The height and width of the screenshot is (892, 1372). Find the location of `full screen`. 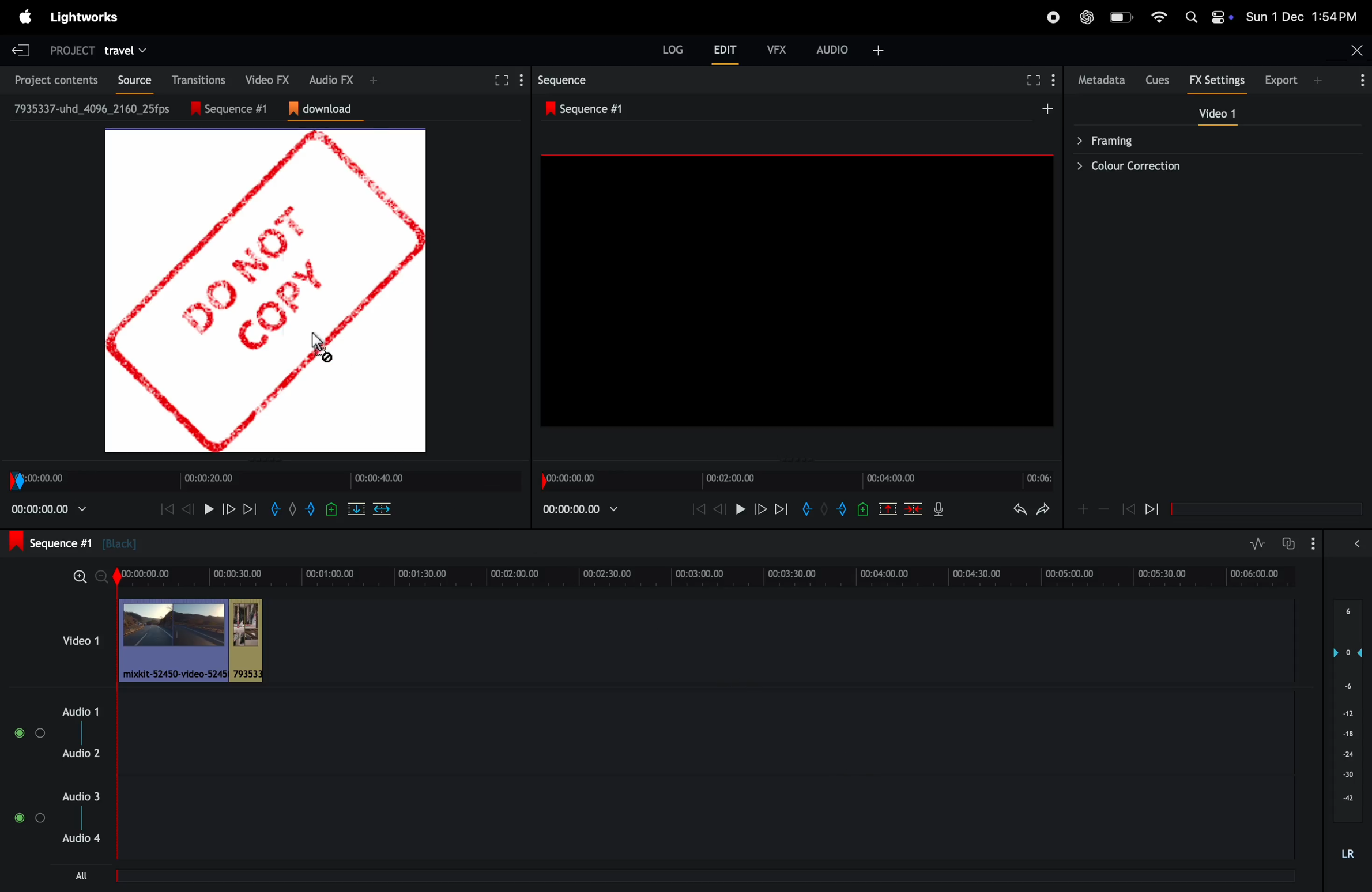

full screen is located at coordinates (1034, 80).